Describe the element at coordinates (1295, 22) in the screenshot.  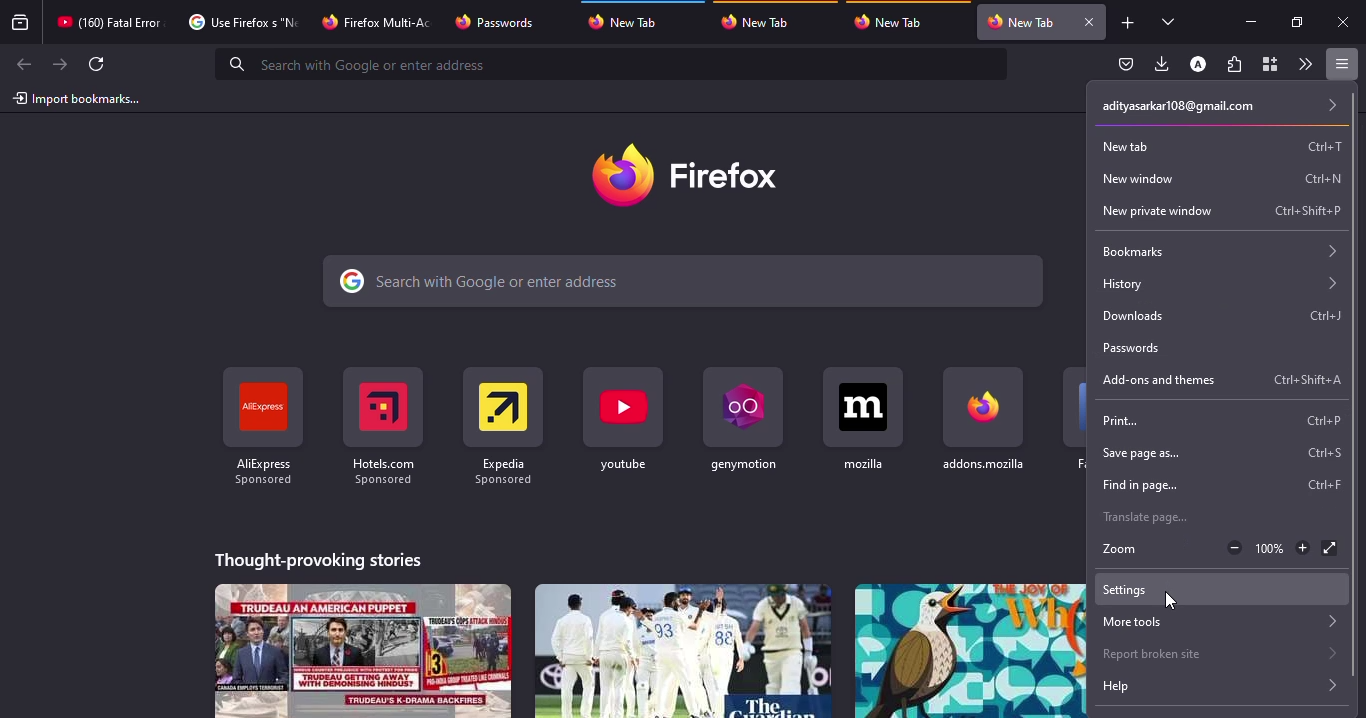
I see `maximize` at that location.